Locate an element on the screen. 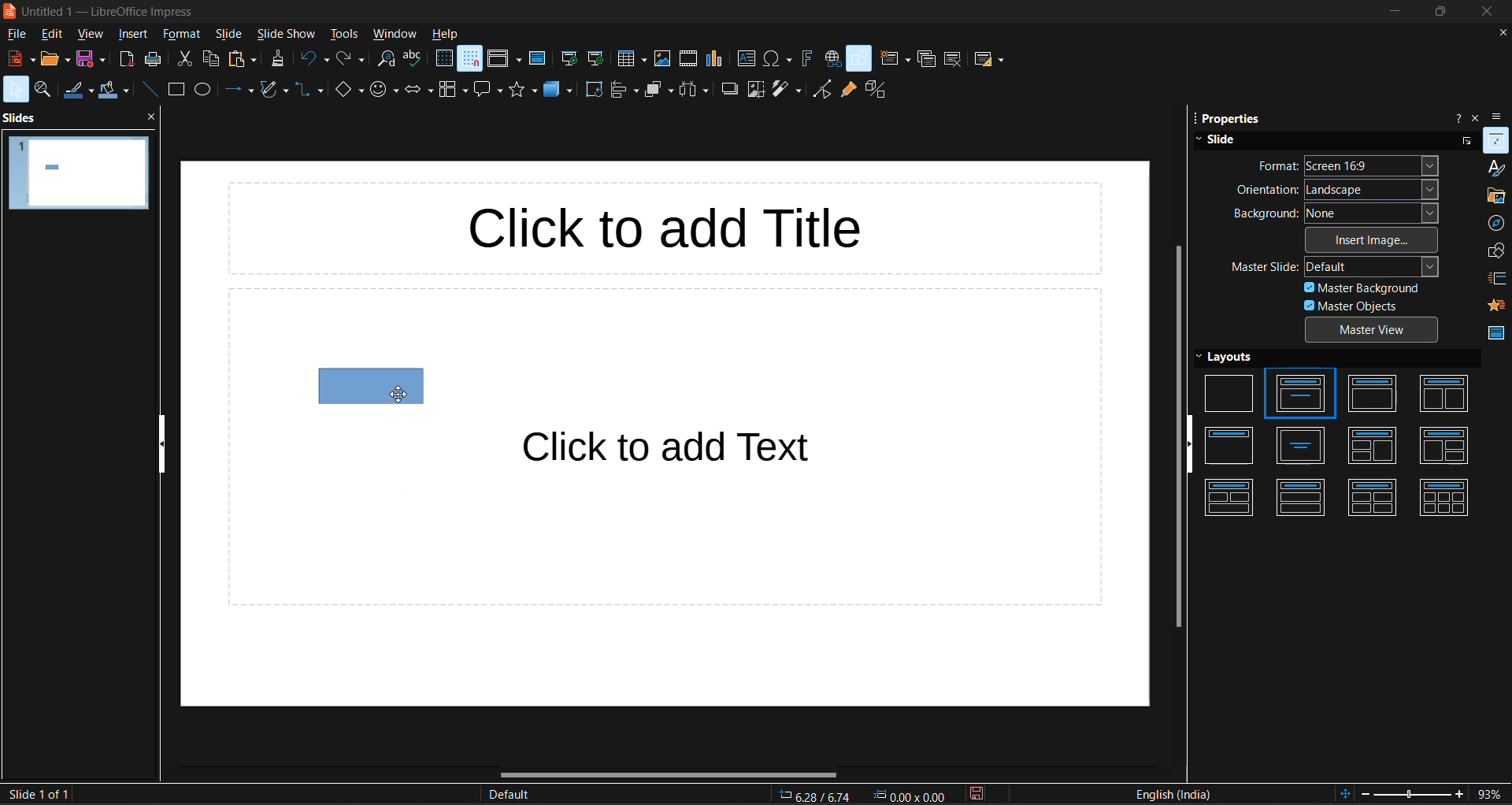 This screenshot has width=1512, height=805. duplicate slide is located at coordinates (925, 60).